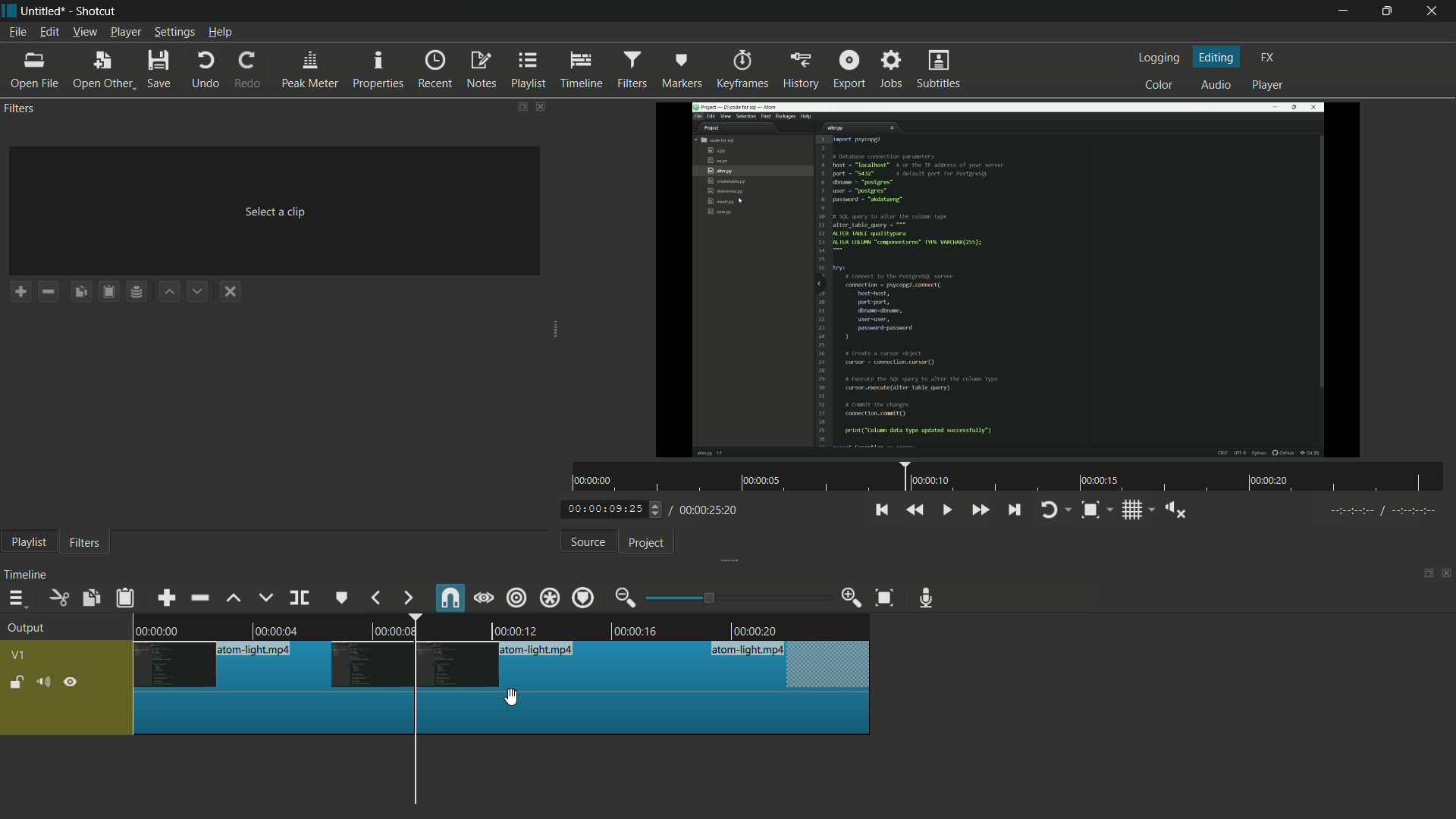 This screenshot has width=1456, height=819. Describe the element at coordinates (682, 71) in the screenshot. I see `markers` at that location.